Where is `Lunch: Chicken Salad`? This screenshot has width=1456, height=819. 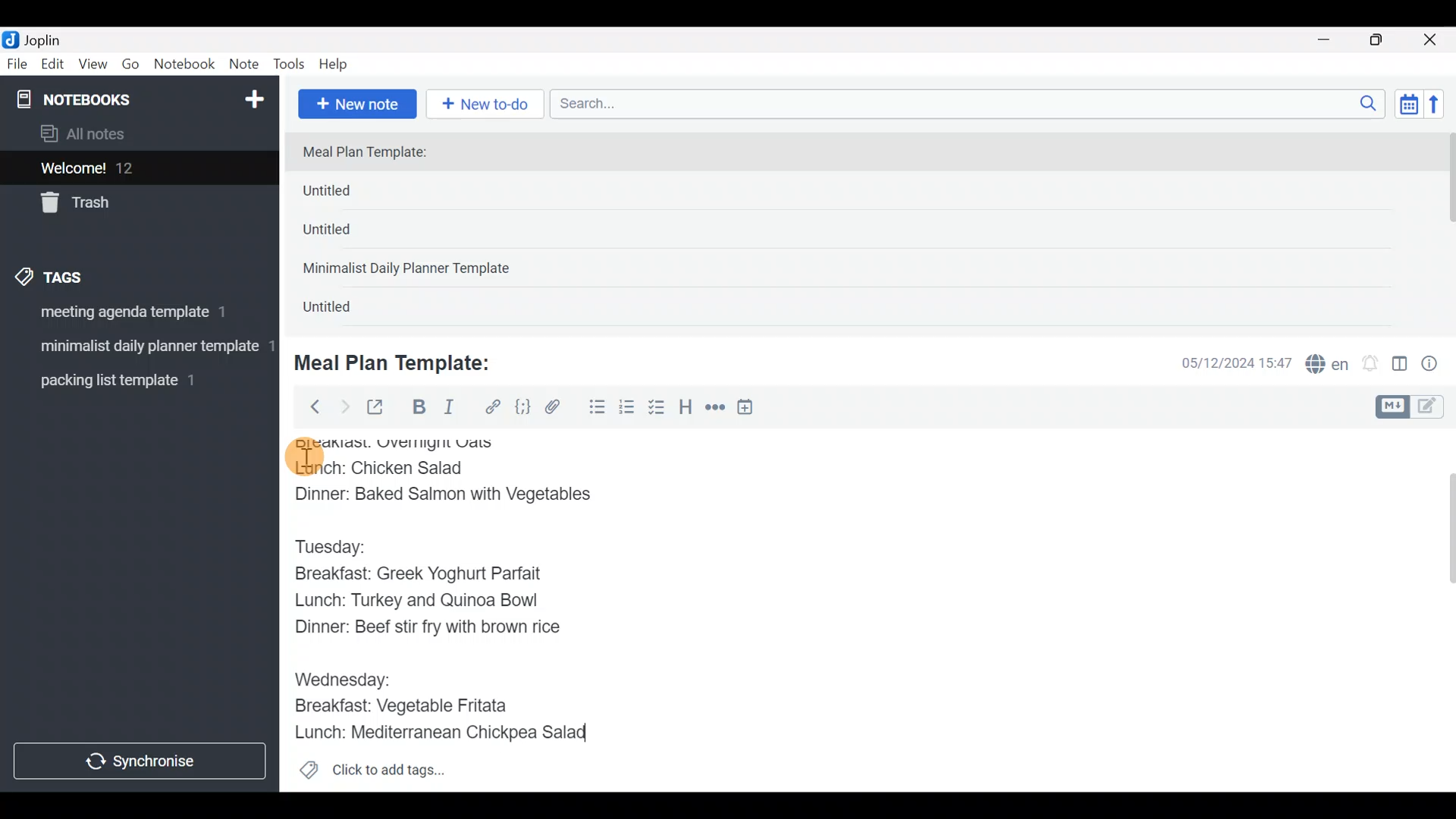 Lunch: Chicken Salad is located at coordinates (384, 467).